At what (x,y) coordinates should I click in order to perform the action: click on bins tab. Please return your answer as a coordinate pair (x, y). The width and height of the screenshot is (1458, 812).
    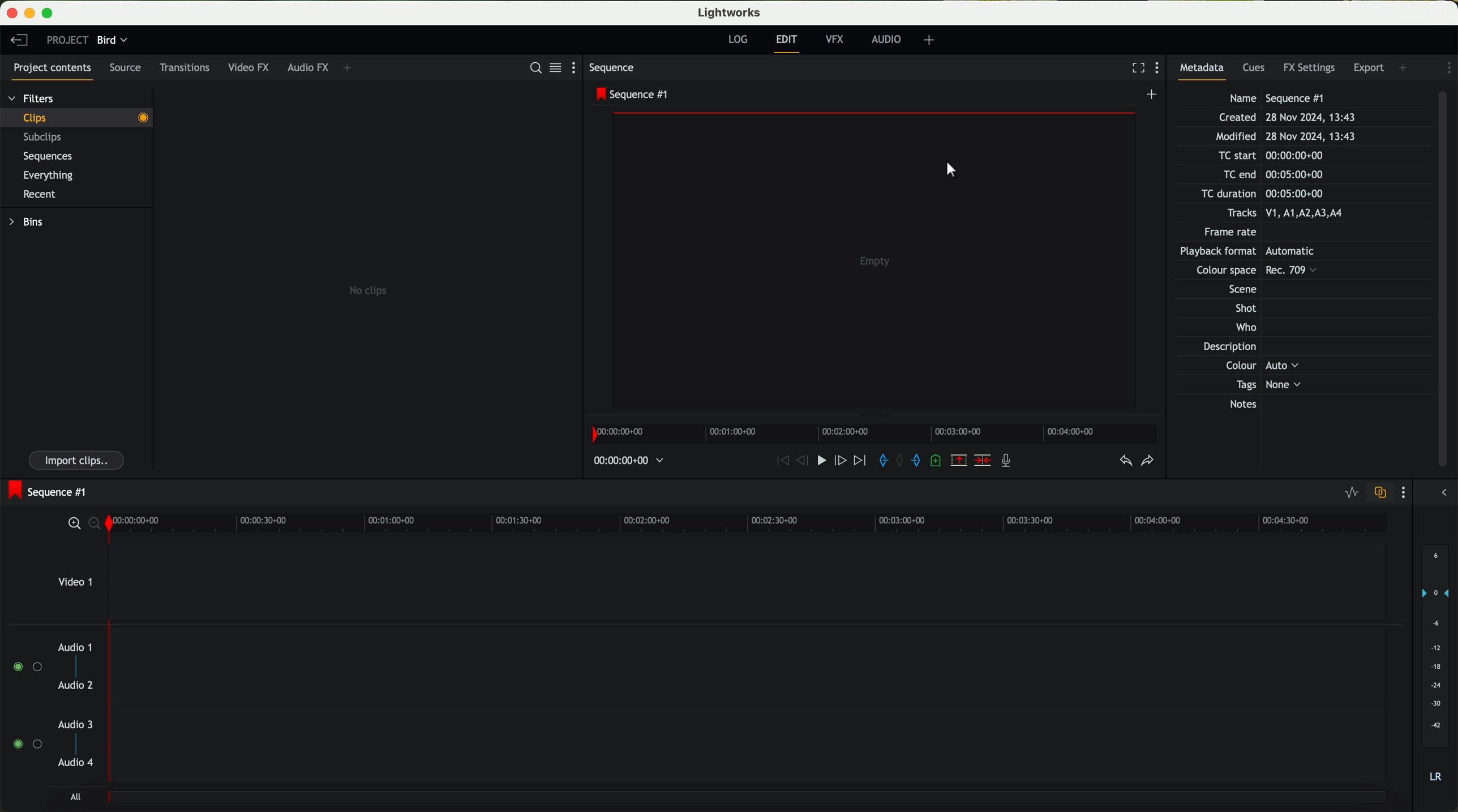
    Looking at the image, I should click on (27, 222).